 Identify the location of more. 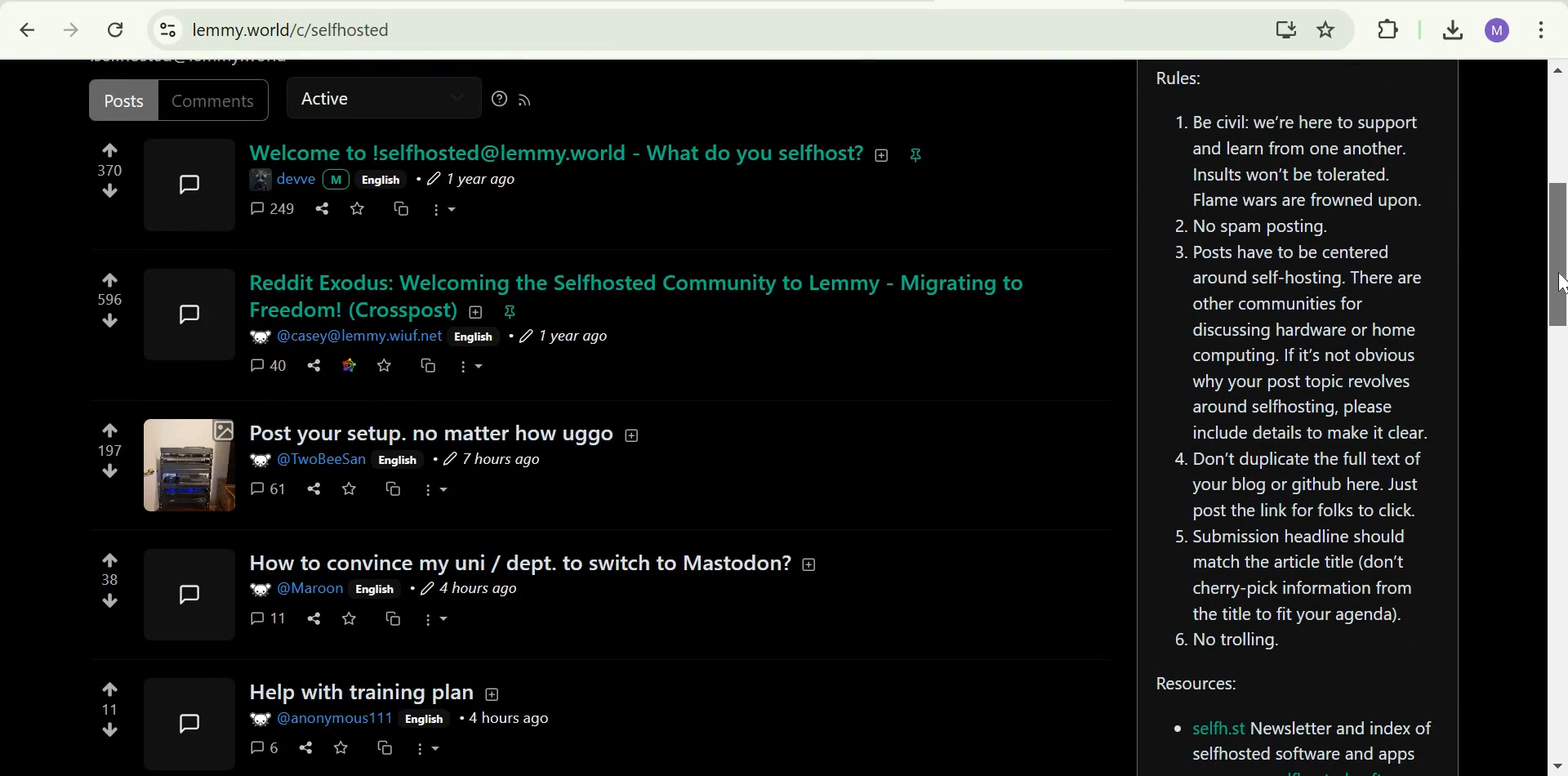
(448, 207).